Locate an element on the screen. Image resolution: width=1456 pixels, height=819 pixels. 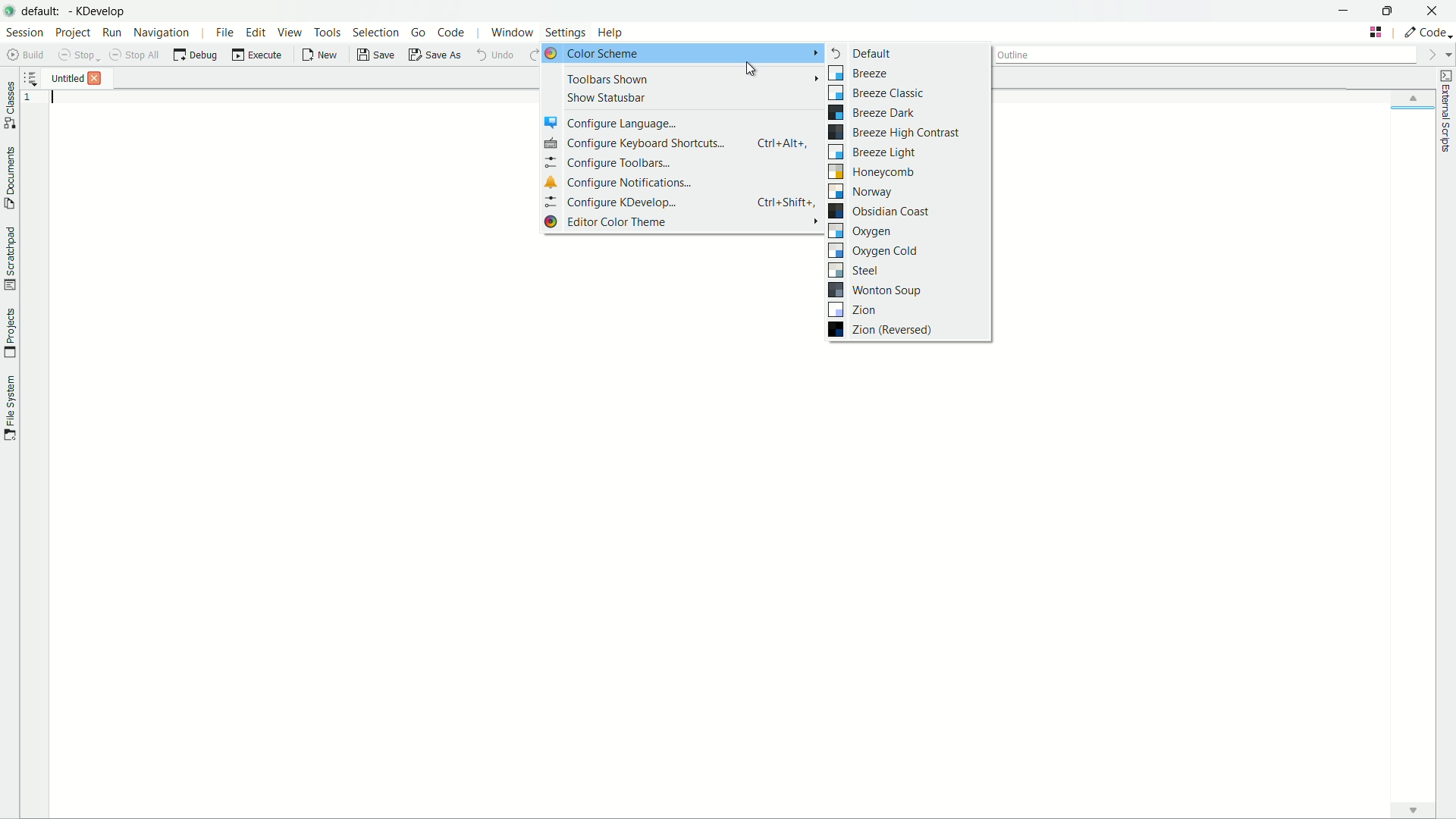
honeycomb is located at coordinates (874, 172).